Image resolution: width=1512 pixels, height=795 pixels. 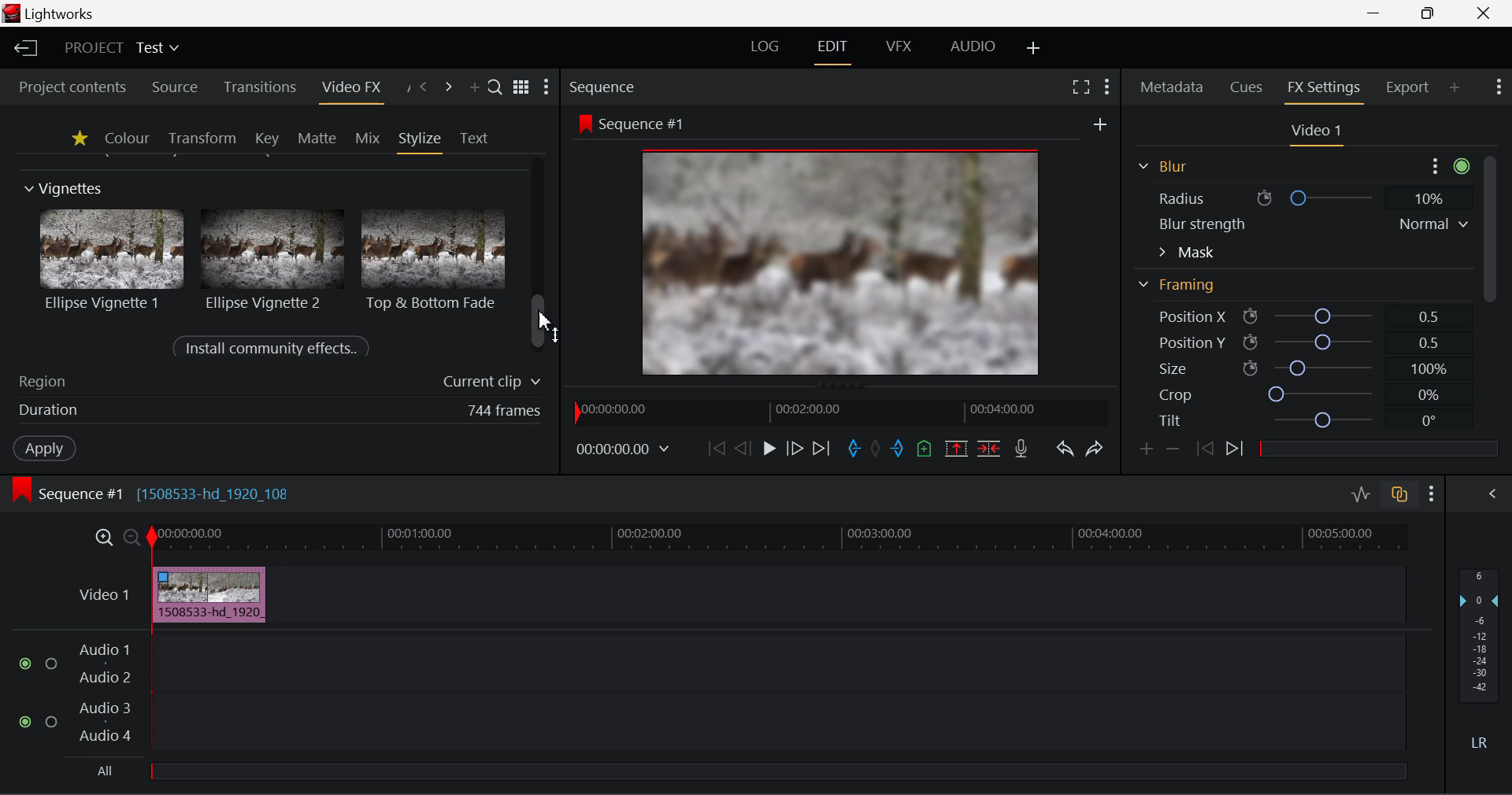 I want to click on Top & Bottom Fade, so click(x=435, y=258).